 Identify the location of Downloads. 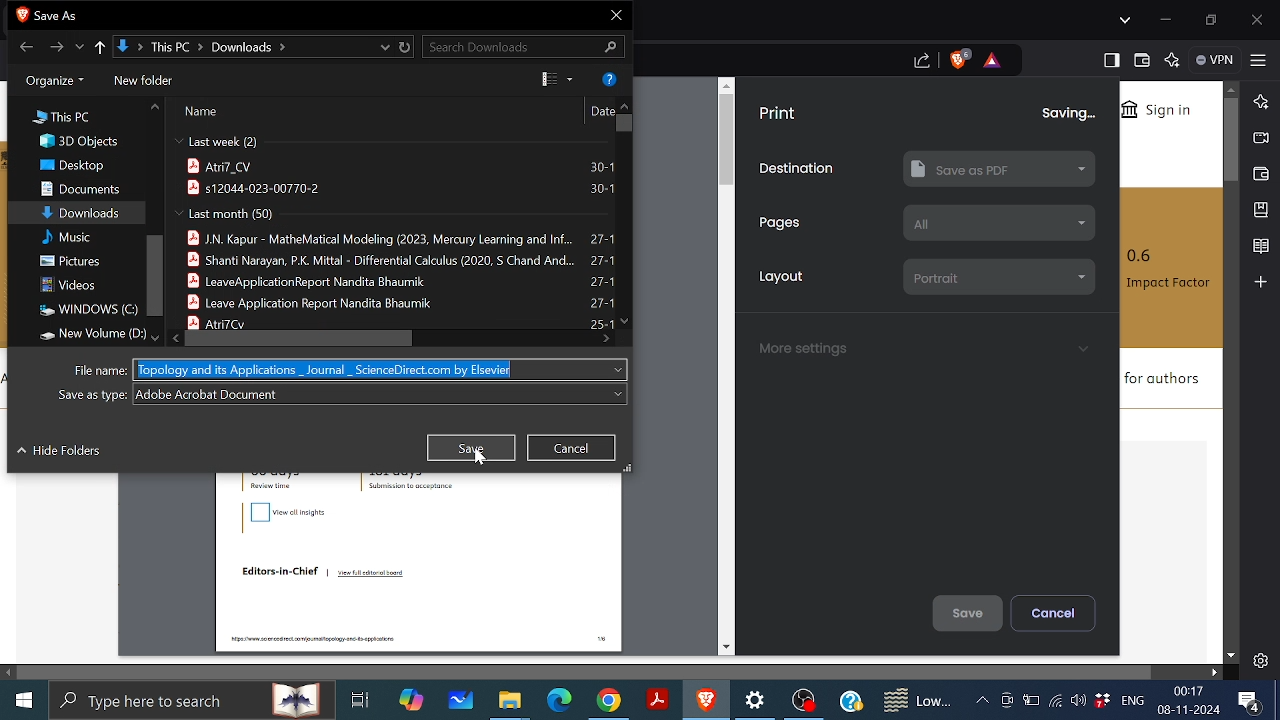
(76, 213).